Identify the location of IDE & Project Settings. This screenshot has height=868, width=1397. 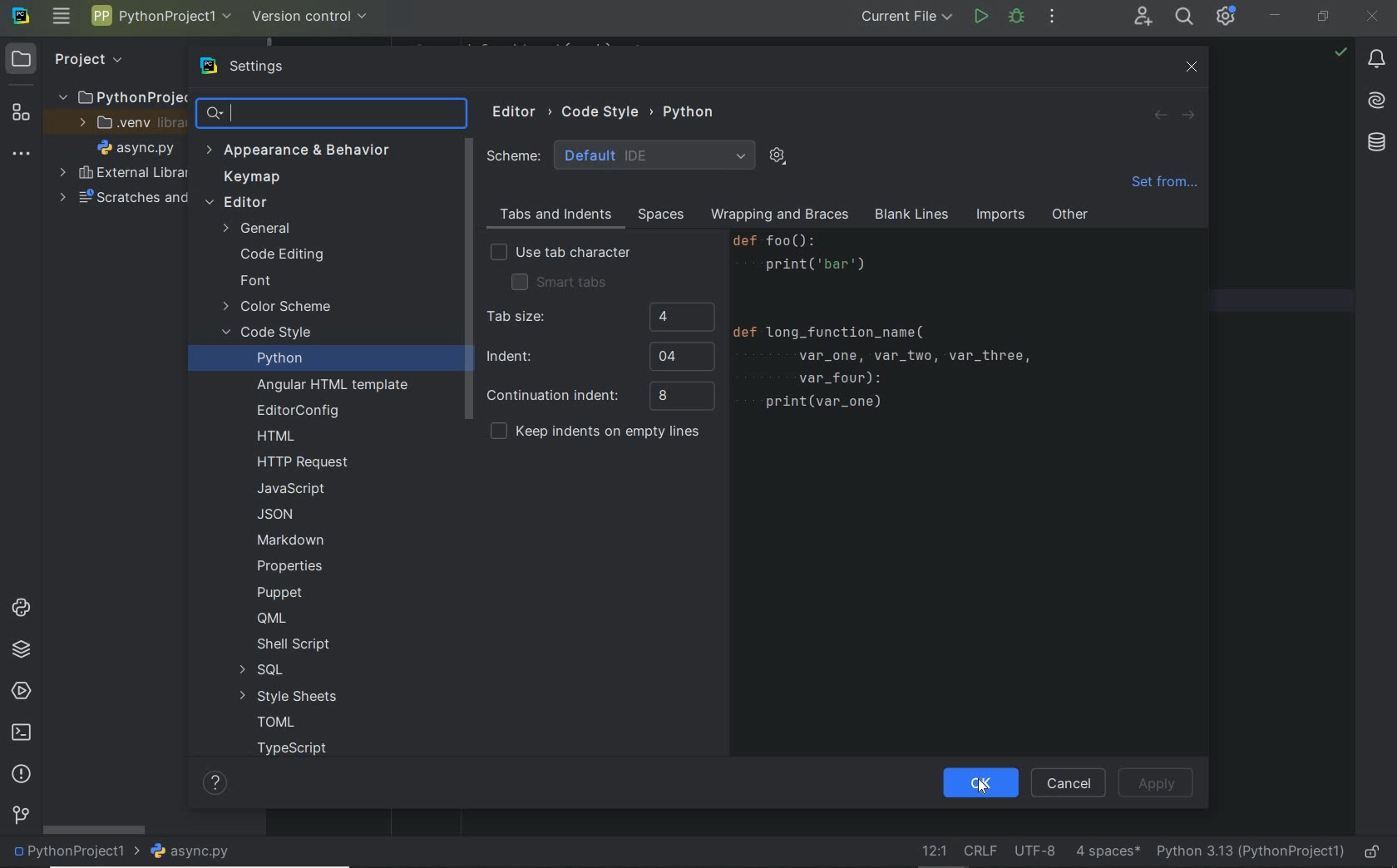
(1227, 16).